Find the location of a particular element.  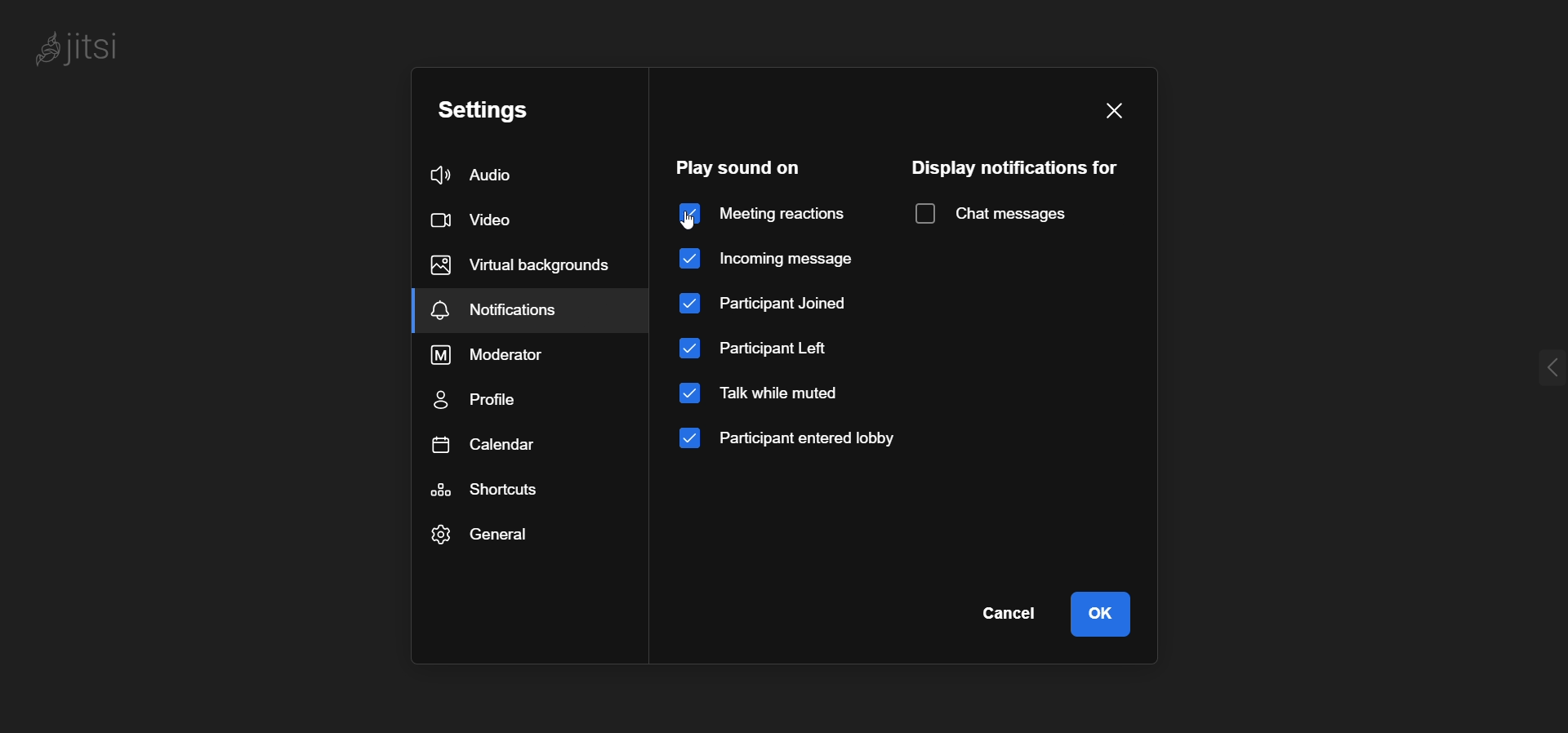

calendar is located at coordinates (491, 446).